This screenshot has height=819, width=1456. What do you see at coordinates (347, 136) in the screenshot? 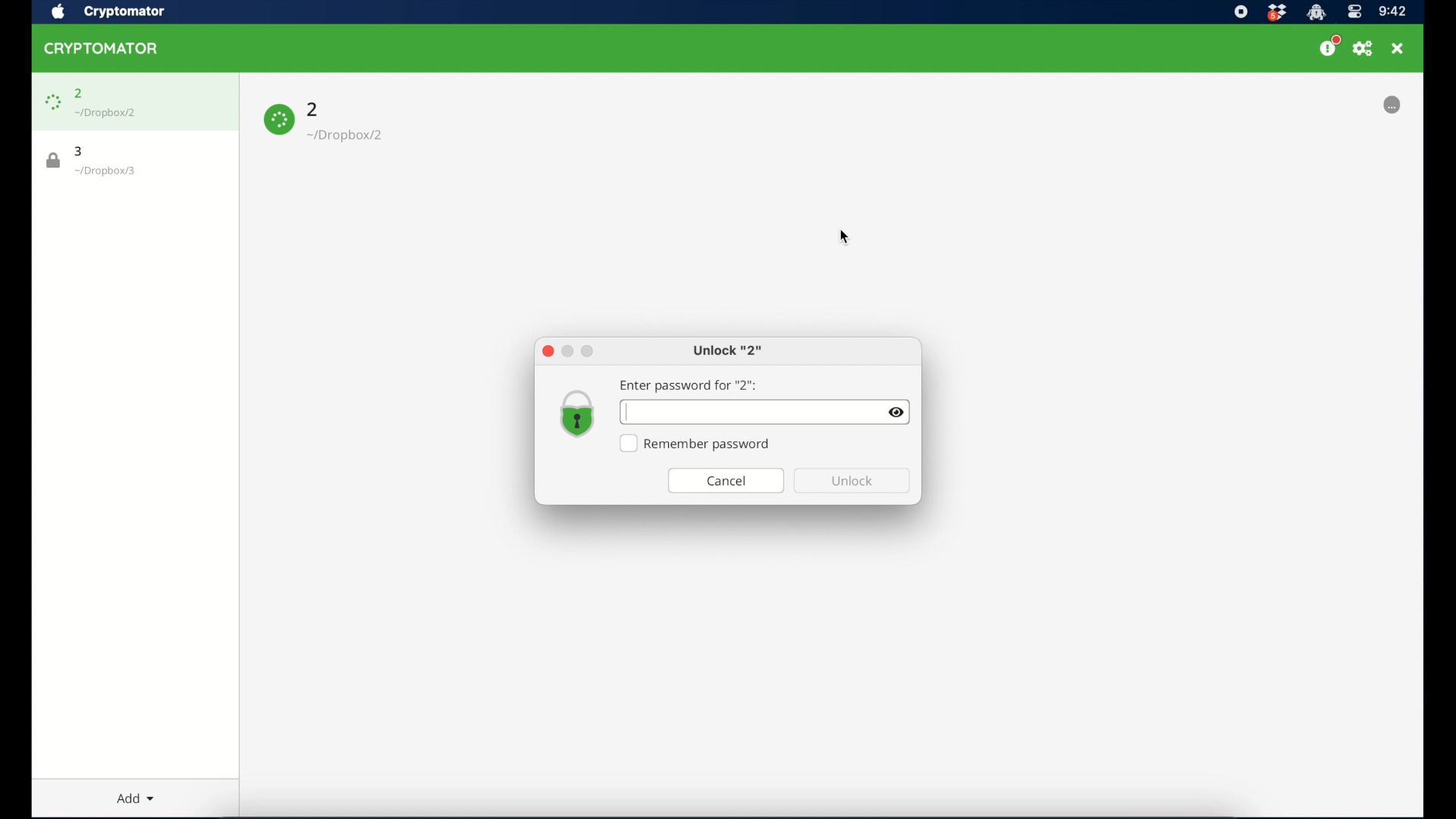
I see `-/Dropbox/2` at bounding box center [347, 136].